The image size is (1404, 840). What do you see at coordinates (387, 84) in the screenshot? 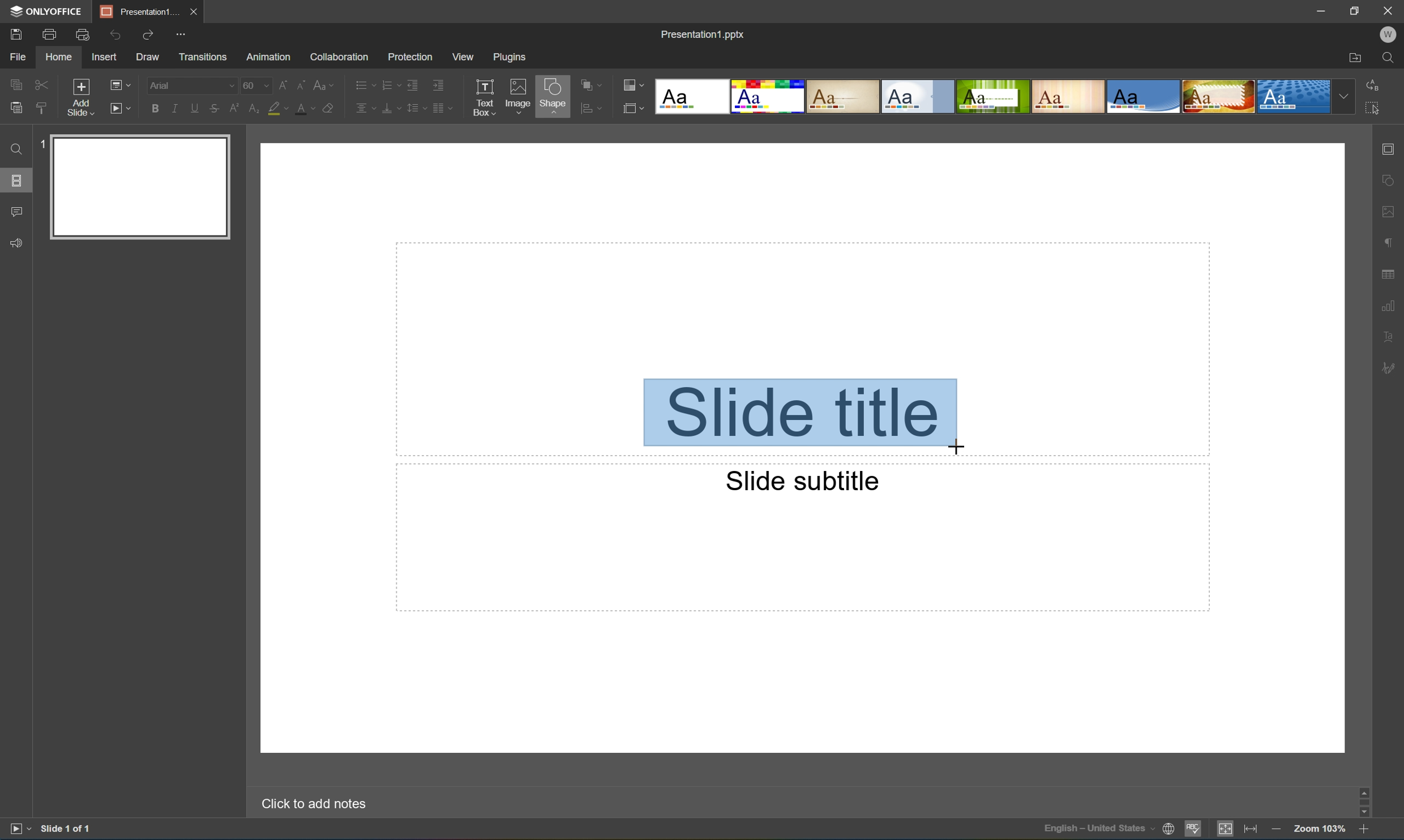
I see `Numbering` at bounding box center [387, 84].